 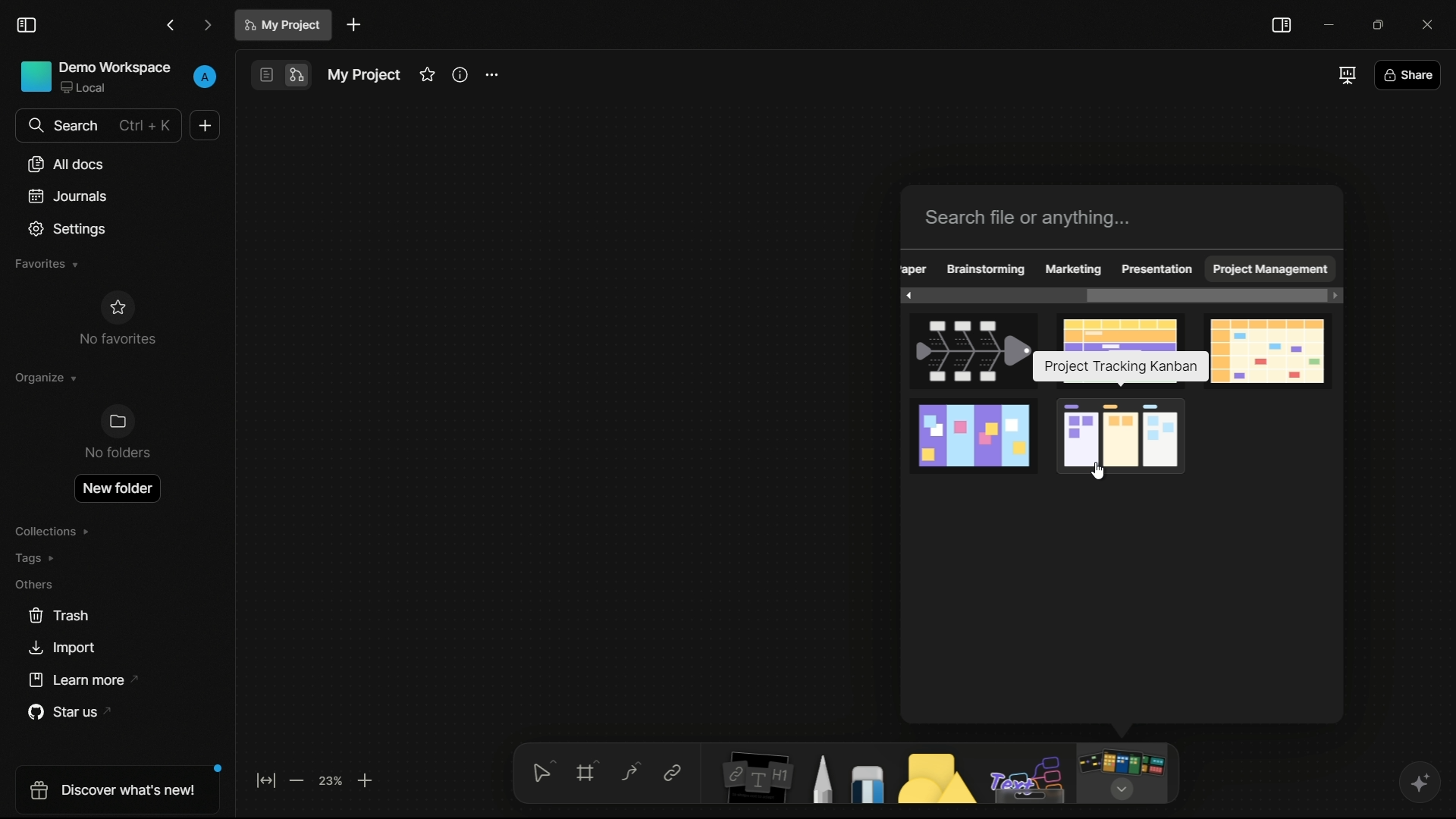 I want to click on settings, so click(x=495, y=75).